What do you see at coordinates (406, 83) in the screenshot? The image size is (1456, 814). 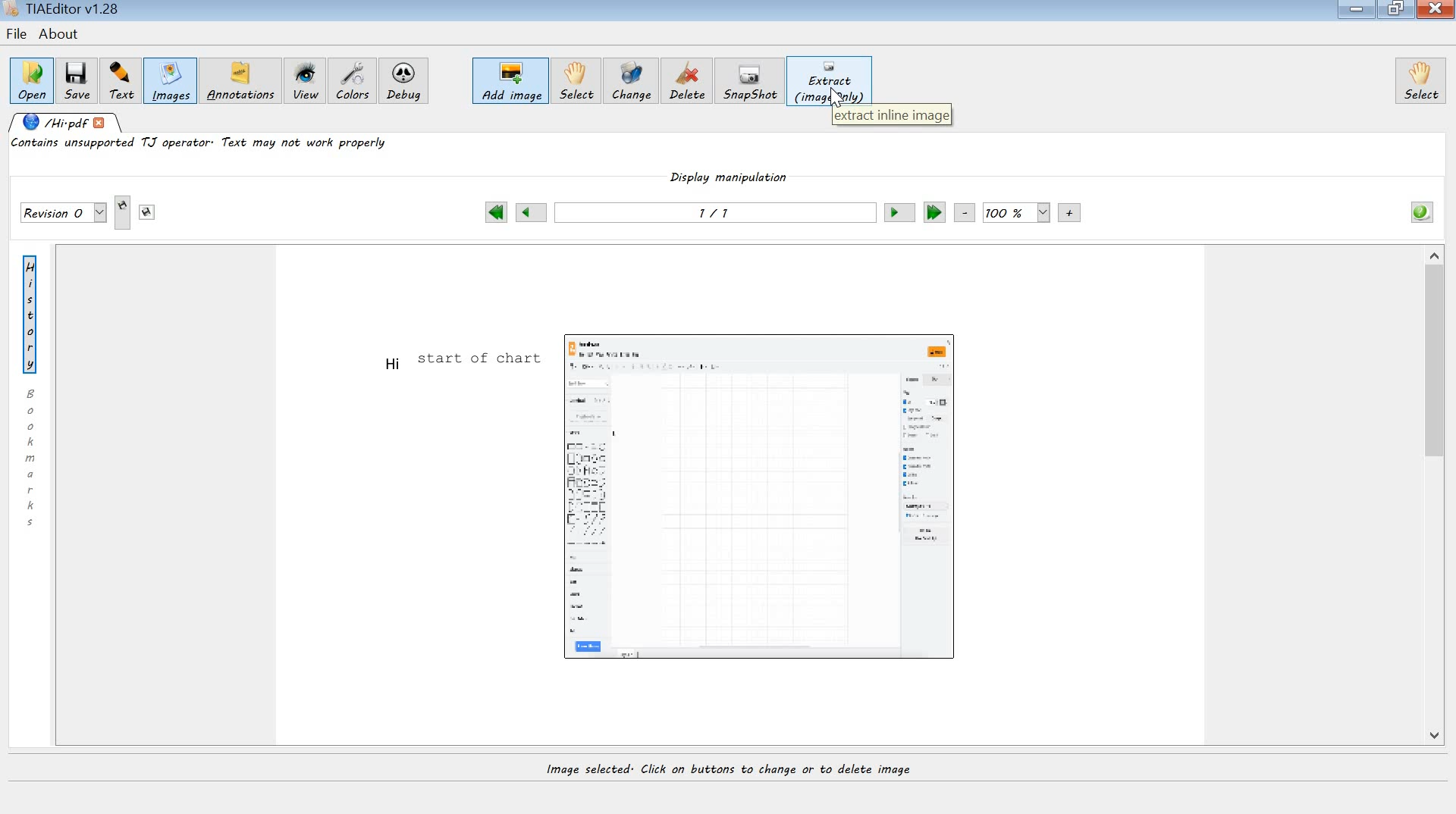 I see `debug` at bounding box center [406, 83].